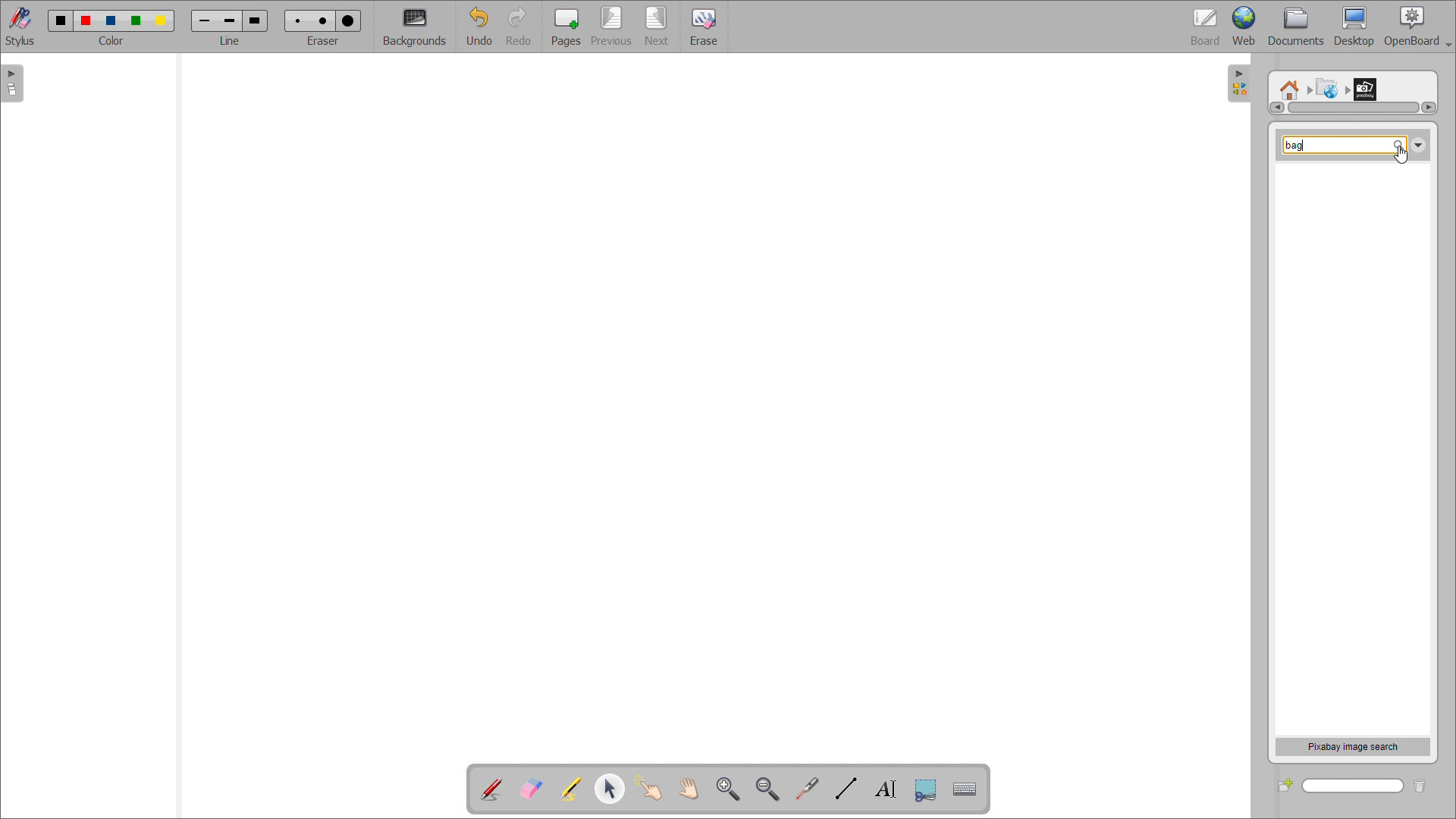 This screenshot has height=819, width=1456. What do you see at coordinates (295, 18) in the screenshot?
I see `Small erase` at bounding box center [295, 18].